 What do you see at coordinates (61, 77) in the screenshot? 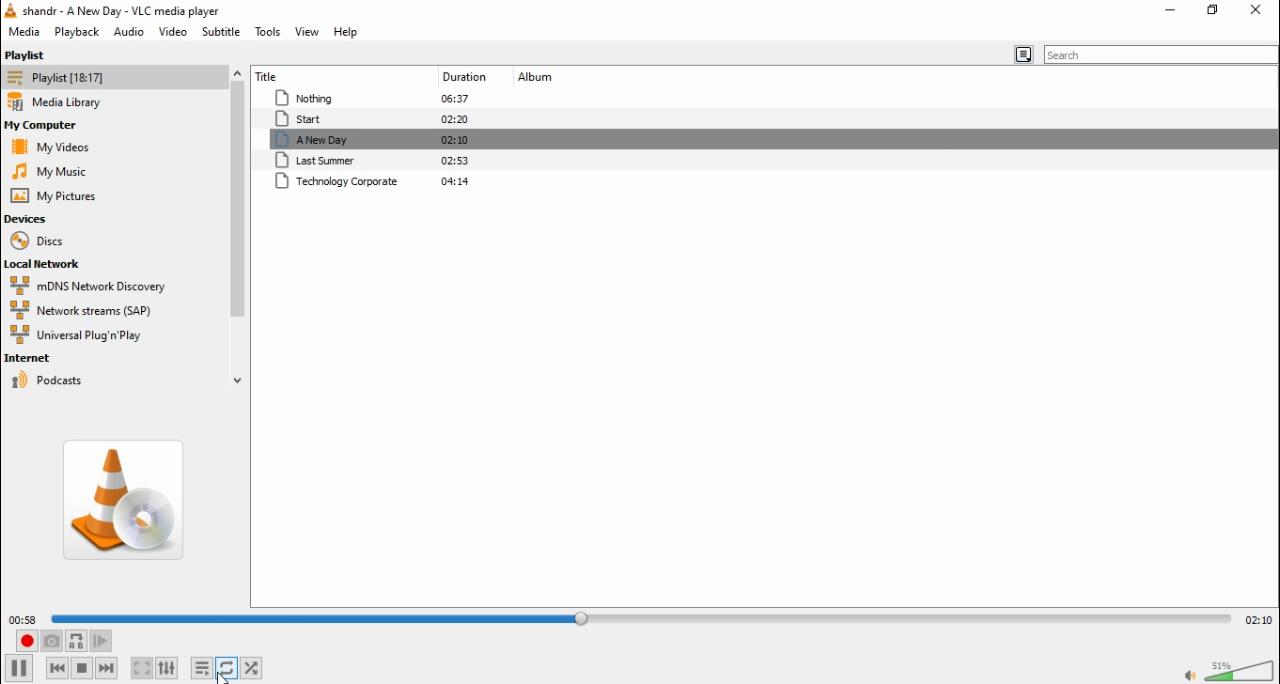
I see `playlist` at bounding box center [61, 77].